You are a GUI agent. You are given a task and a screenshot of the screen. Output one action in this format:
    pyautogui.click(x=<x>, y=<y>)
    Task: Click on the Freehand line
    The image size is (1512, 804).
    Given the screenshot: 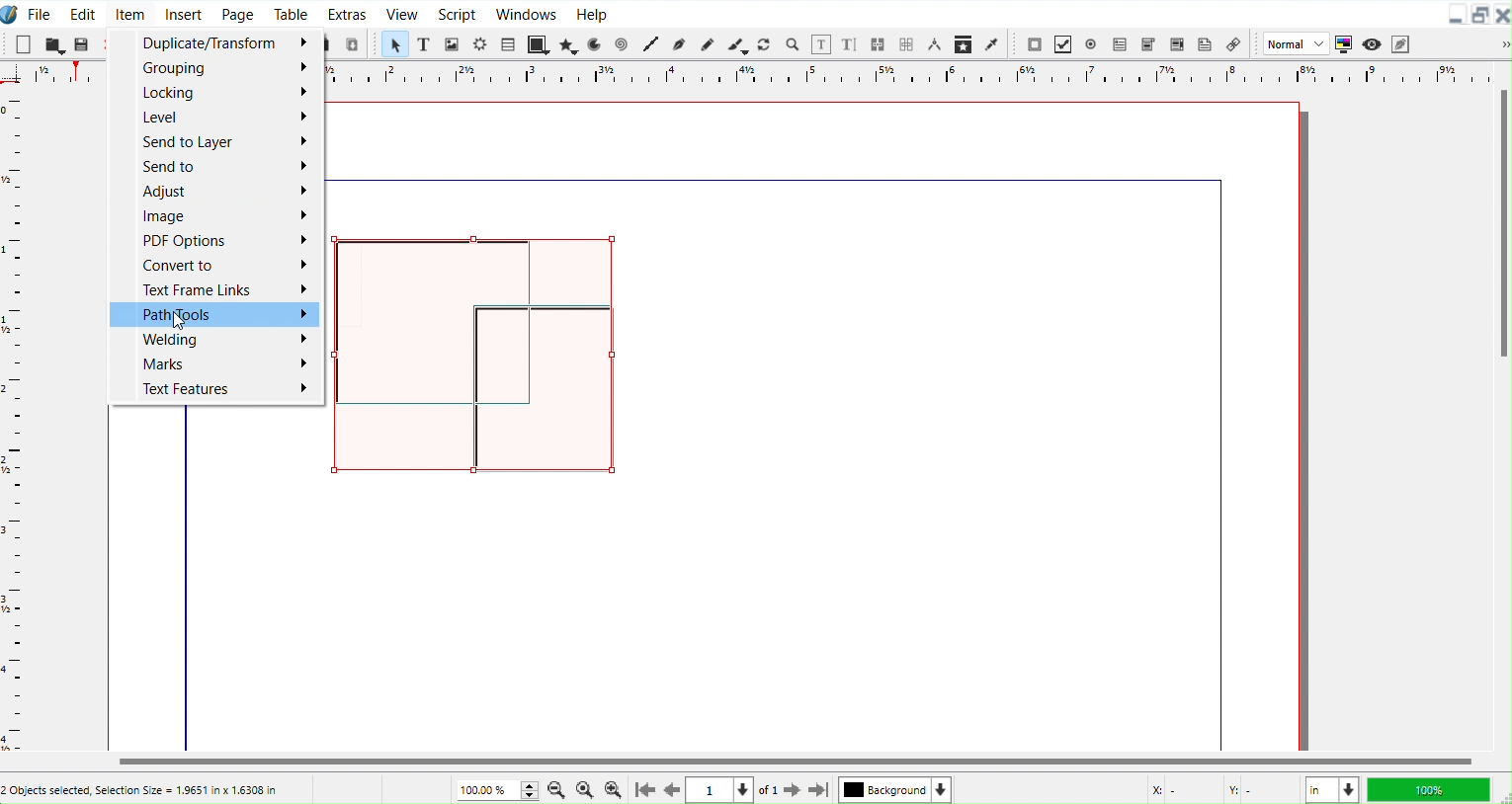 What is the action you would take?
    pyautogui.click(x=706, y=43)
    